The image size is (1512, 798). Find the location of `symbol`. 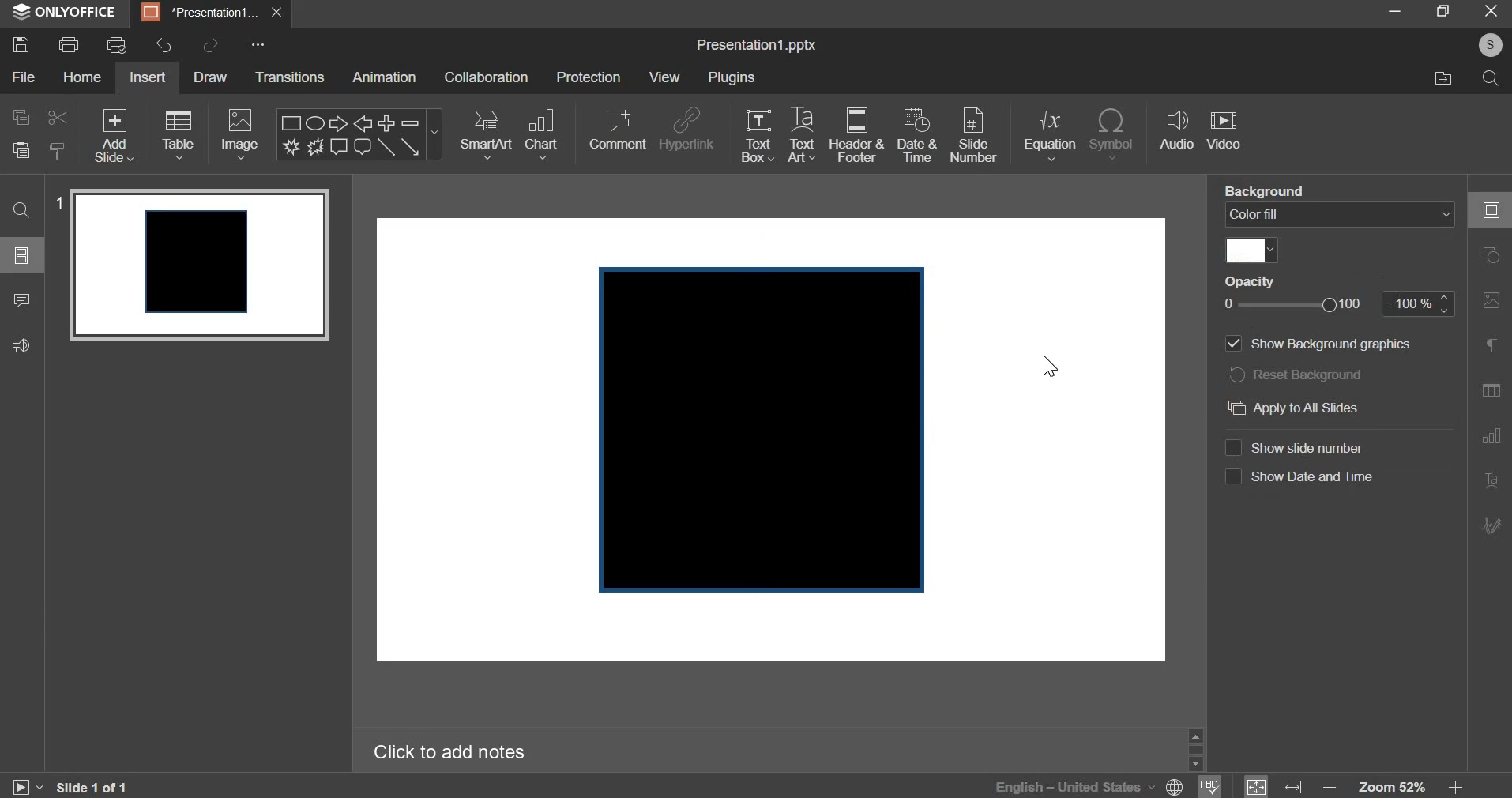

symbol is located at coordinates (1112, 133).